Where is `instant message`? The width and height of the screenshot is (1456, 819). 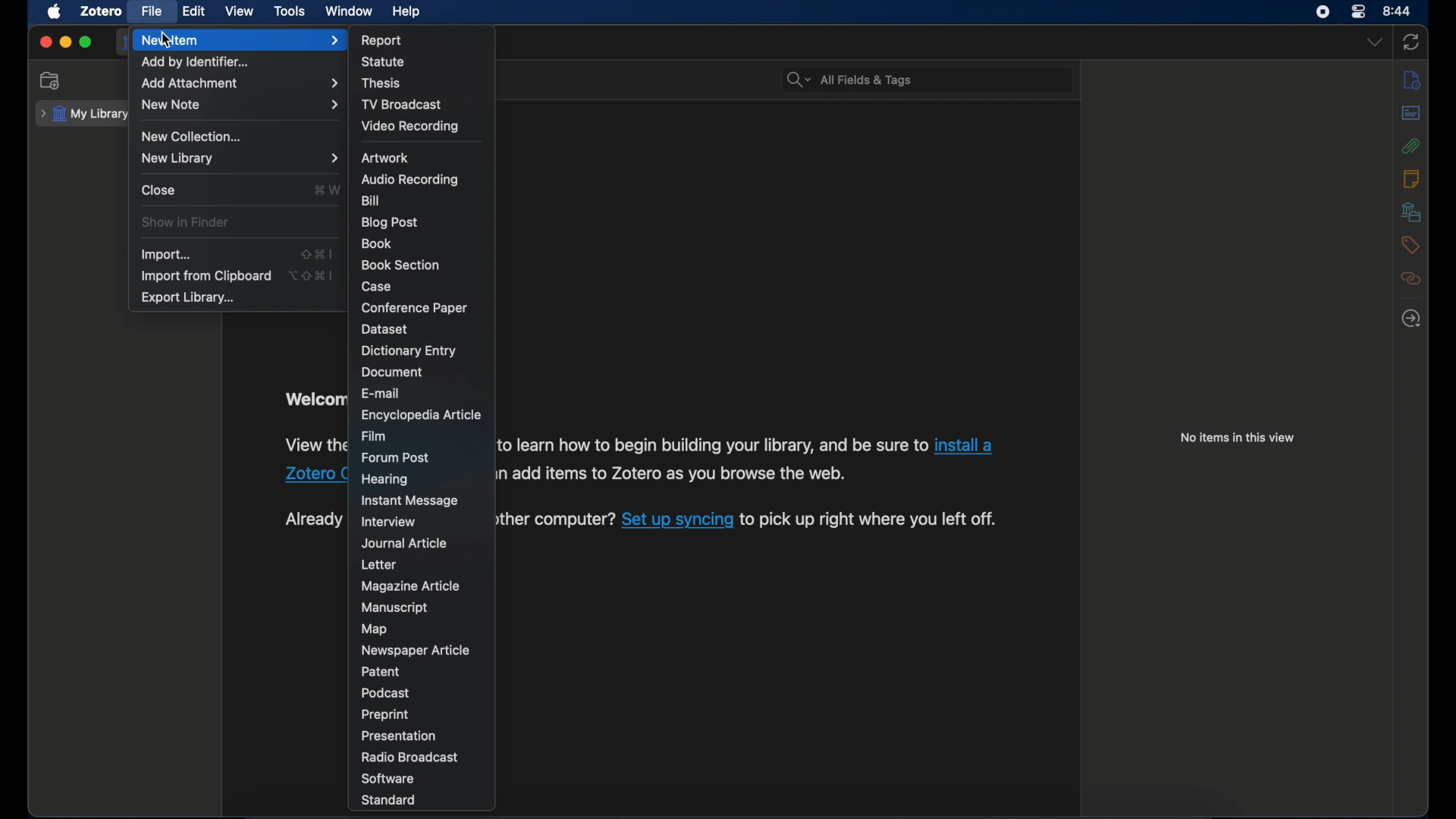 instant message is located at coordinates (408, 501).